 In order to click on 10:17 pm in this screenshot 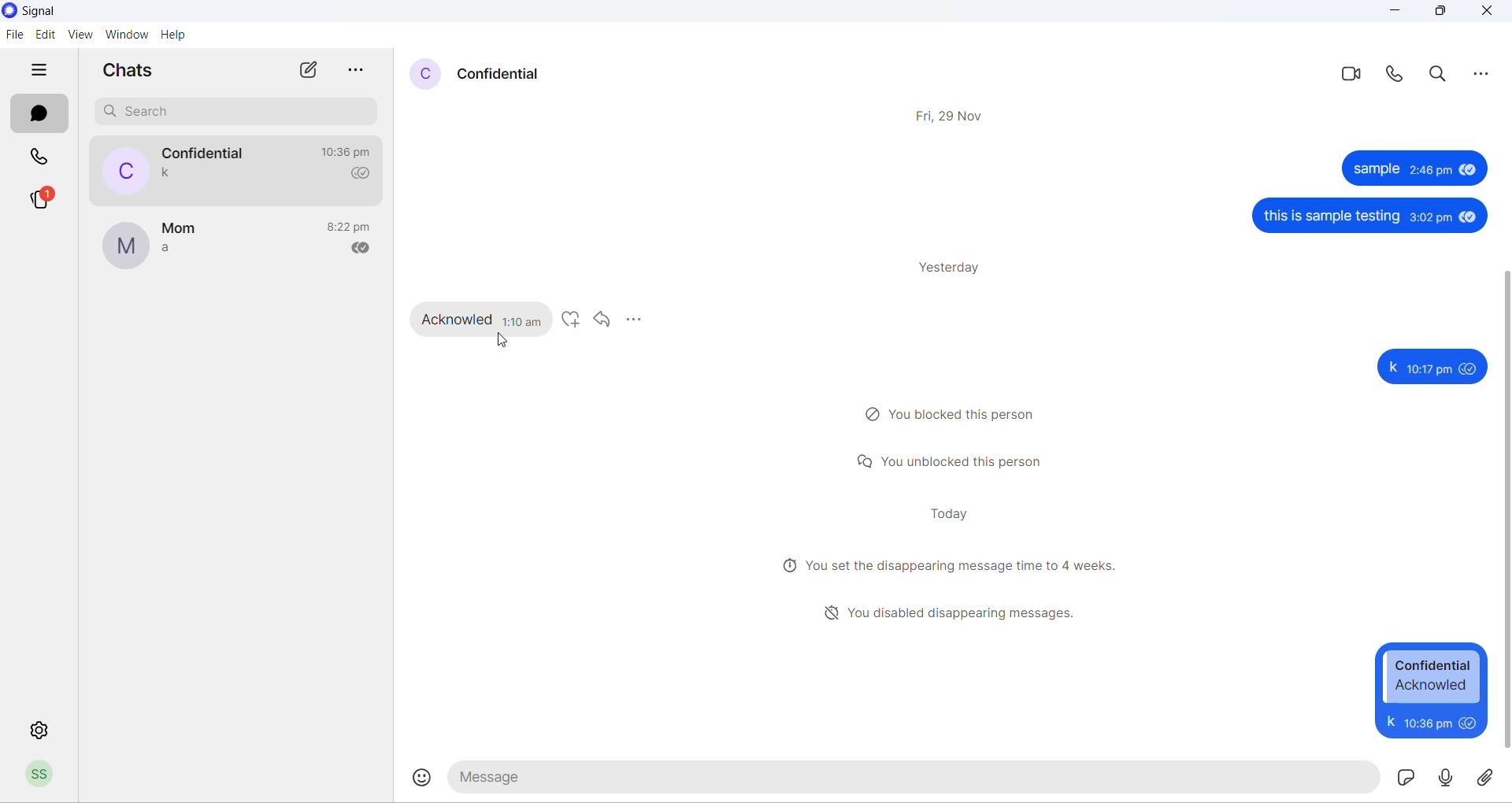, I will do `click(1429, 367)`.